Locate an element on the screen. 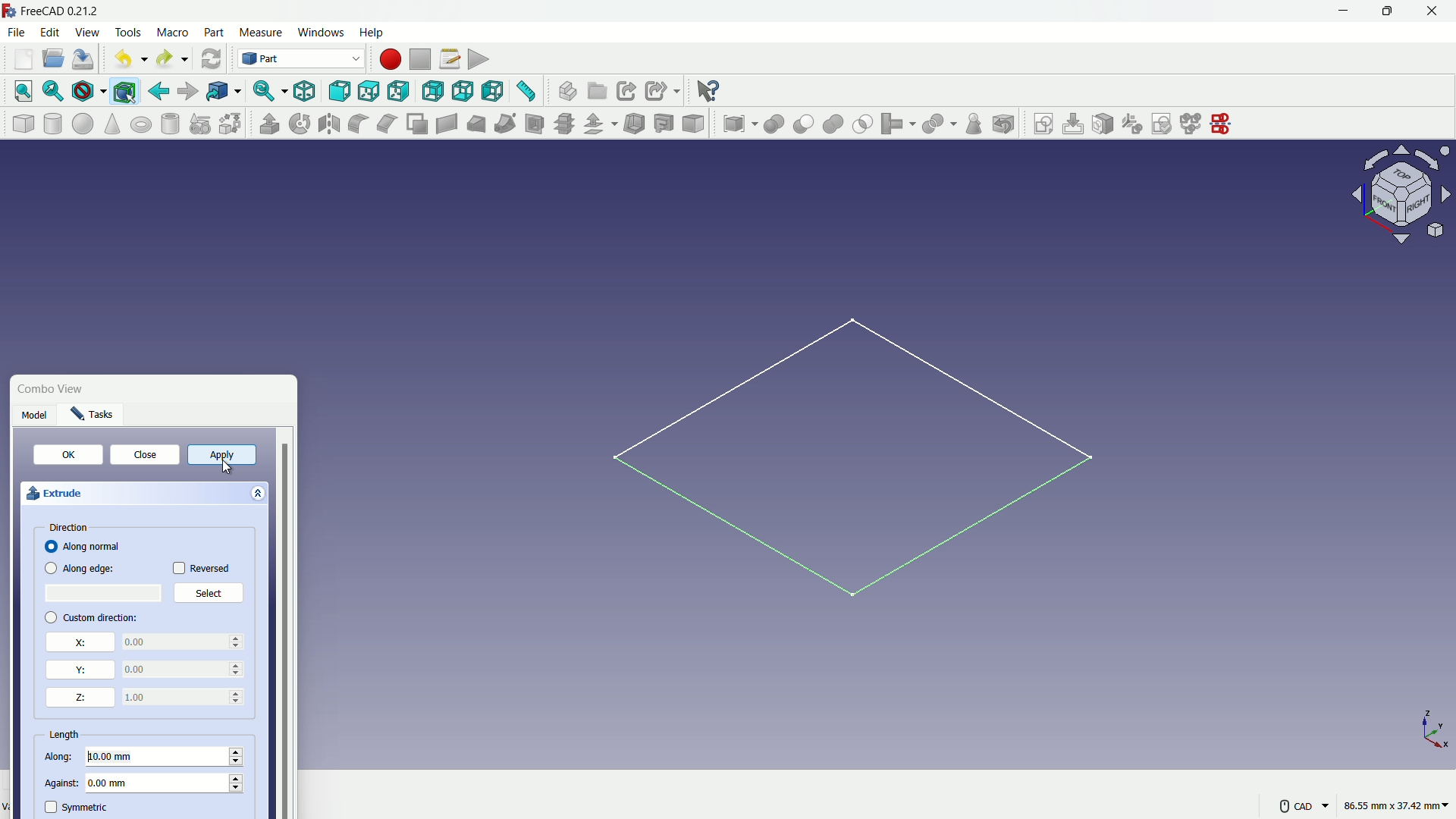  new file is located at coordinates (23, 60).